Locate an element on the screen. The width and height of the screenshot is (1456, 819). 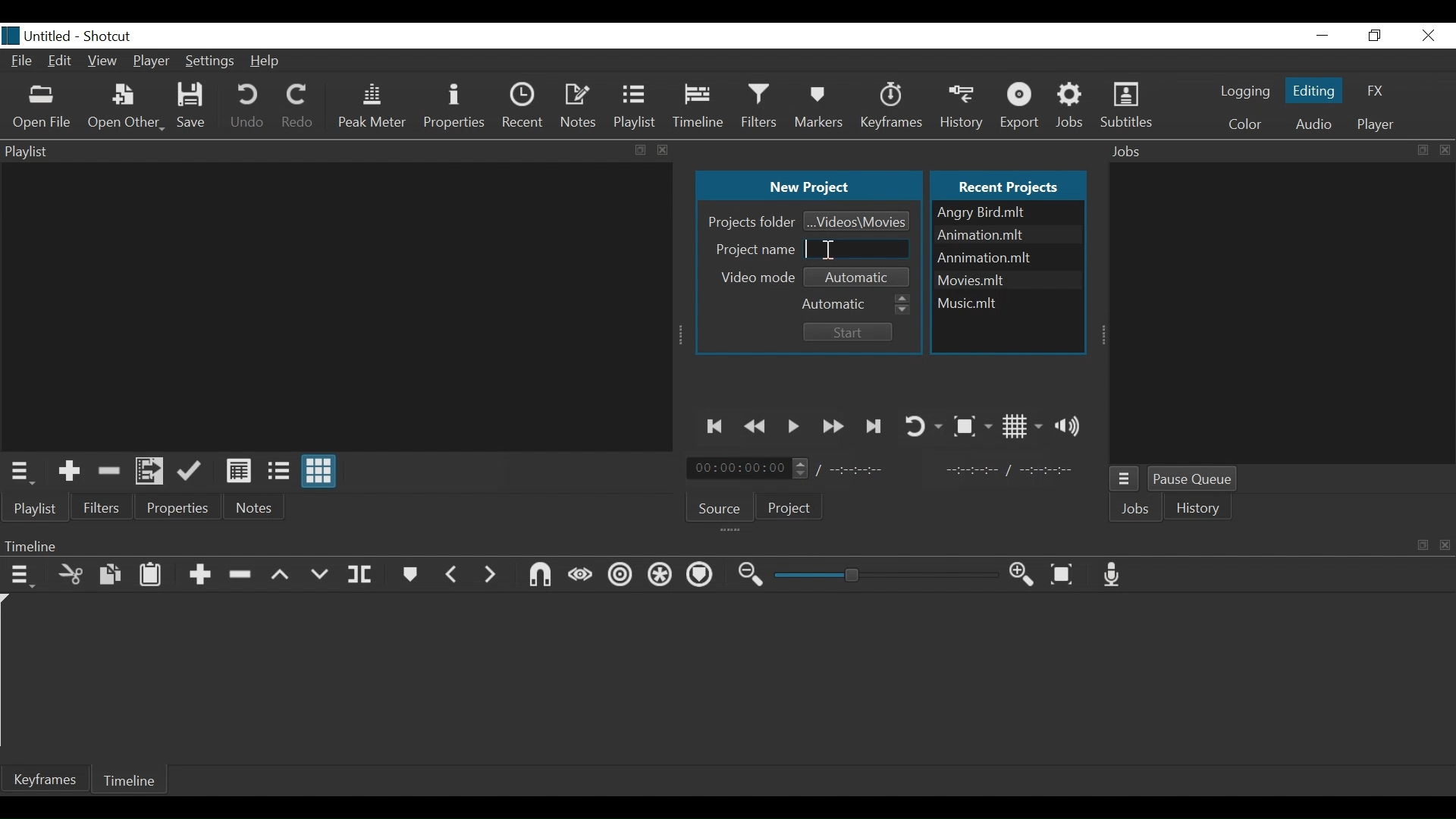
Clip Thumbnail is located at coordinates (332, 306).